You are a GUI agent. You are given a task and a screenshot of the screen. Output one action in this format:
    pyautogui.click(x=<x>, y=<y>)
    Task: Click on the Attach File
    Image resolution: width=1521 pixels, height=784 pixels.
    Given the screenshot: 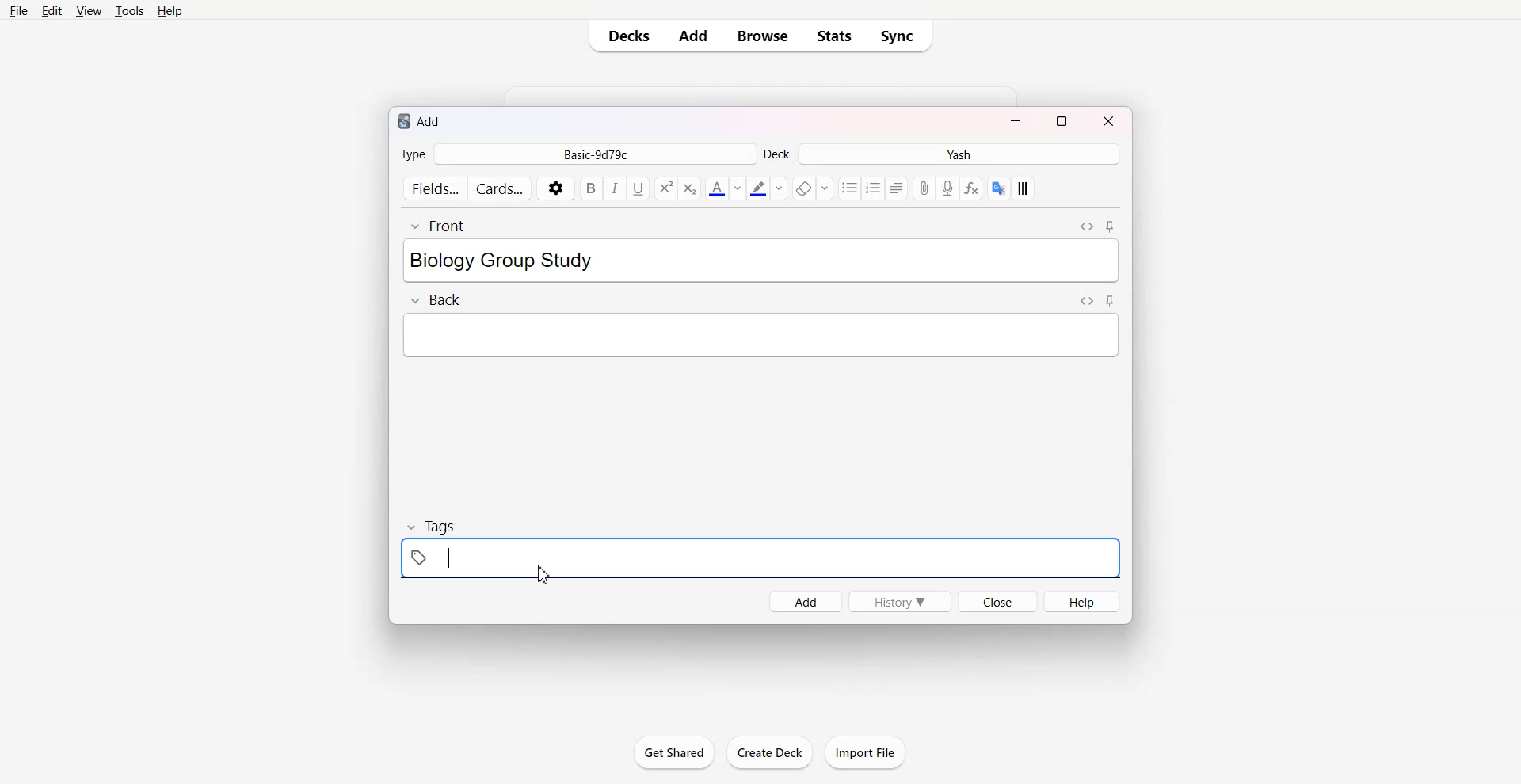 What is the action you would take?
    pyautogui.click(x=925, y=188)
    